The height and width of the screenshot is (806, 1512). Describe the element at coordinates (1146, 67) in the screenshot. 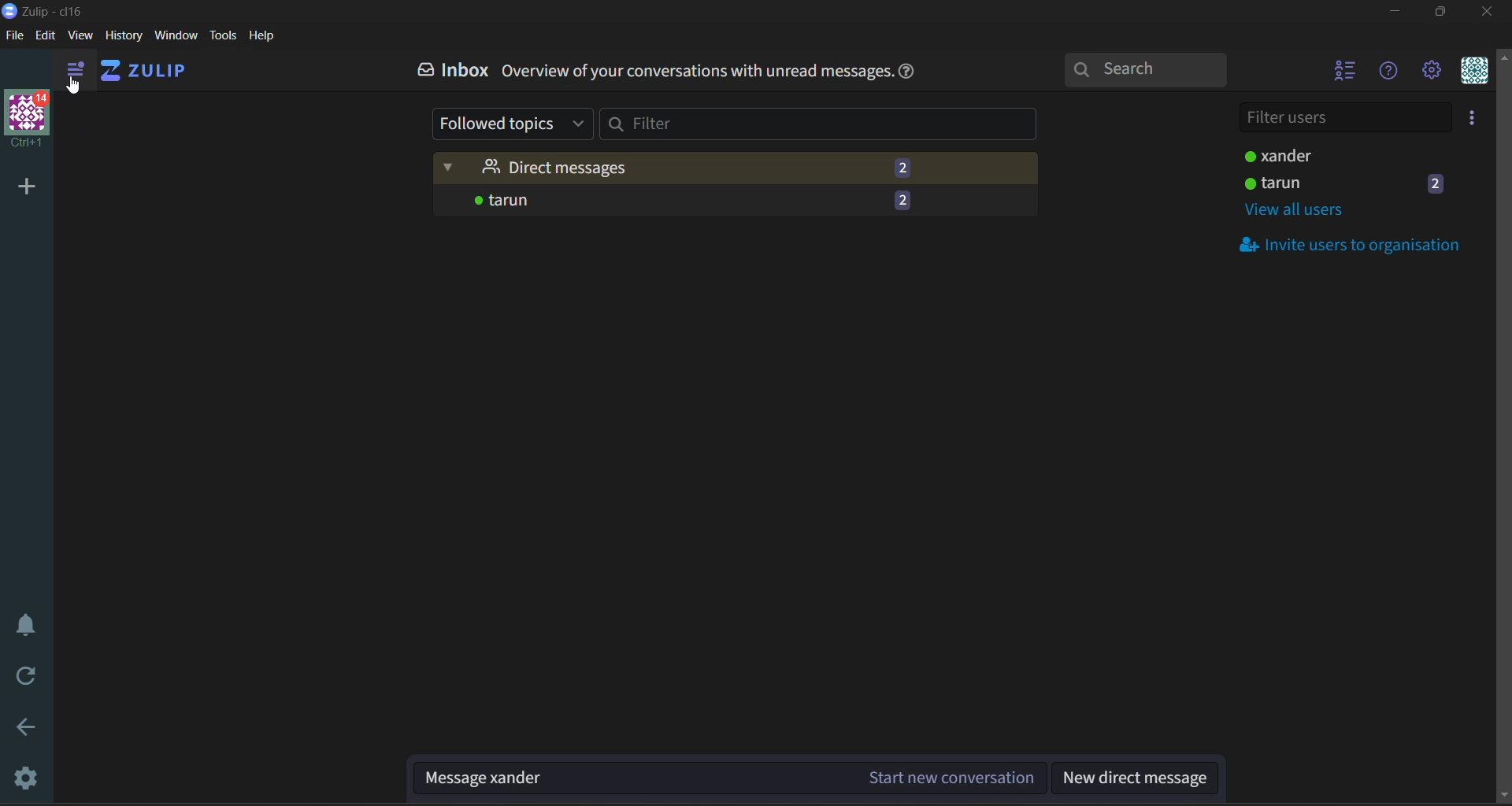

I see `search` at that location.